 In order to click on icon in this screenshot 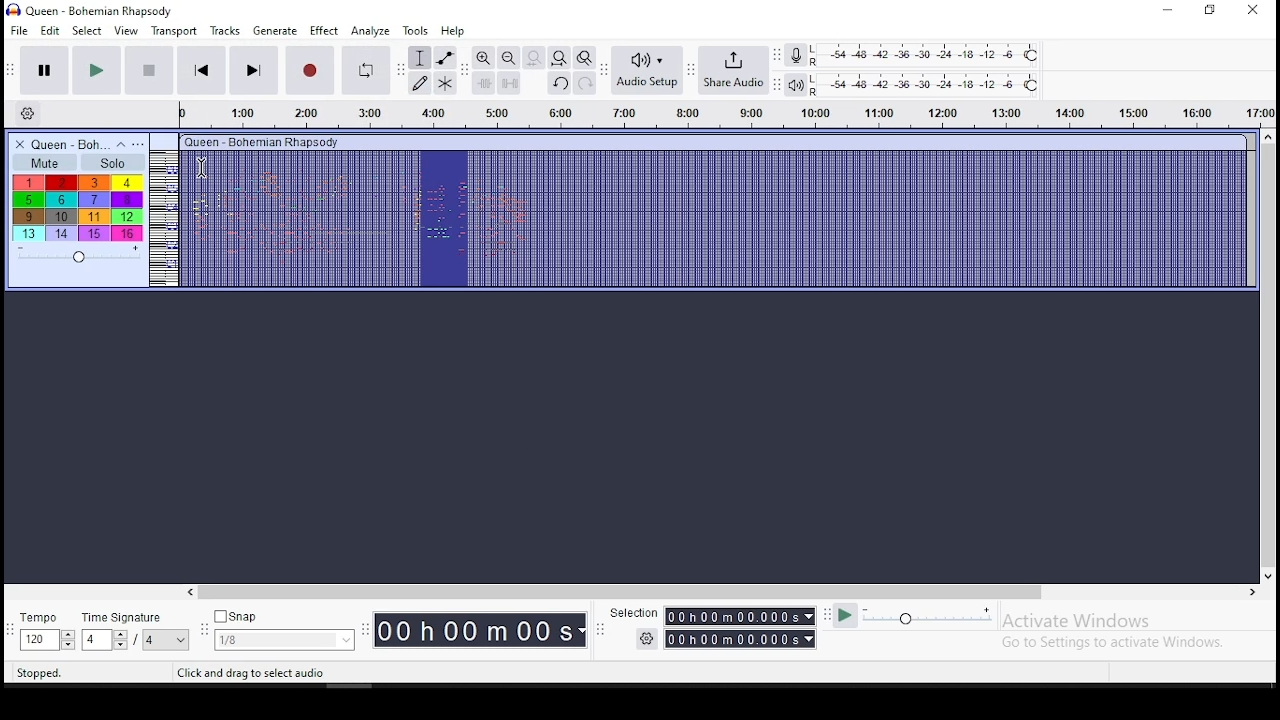, I will do `click(92, 9)`.